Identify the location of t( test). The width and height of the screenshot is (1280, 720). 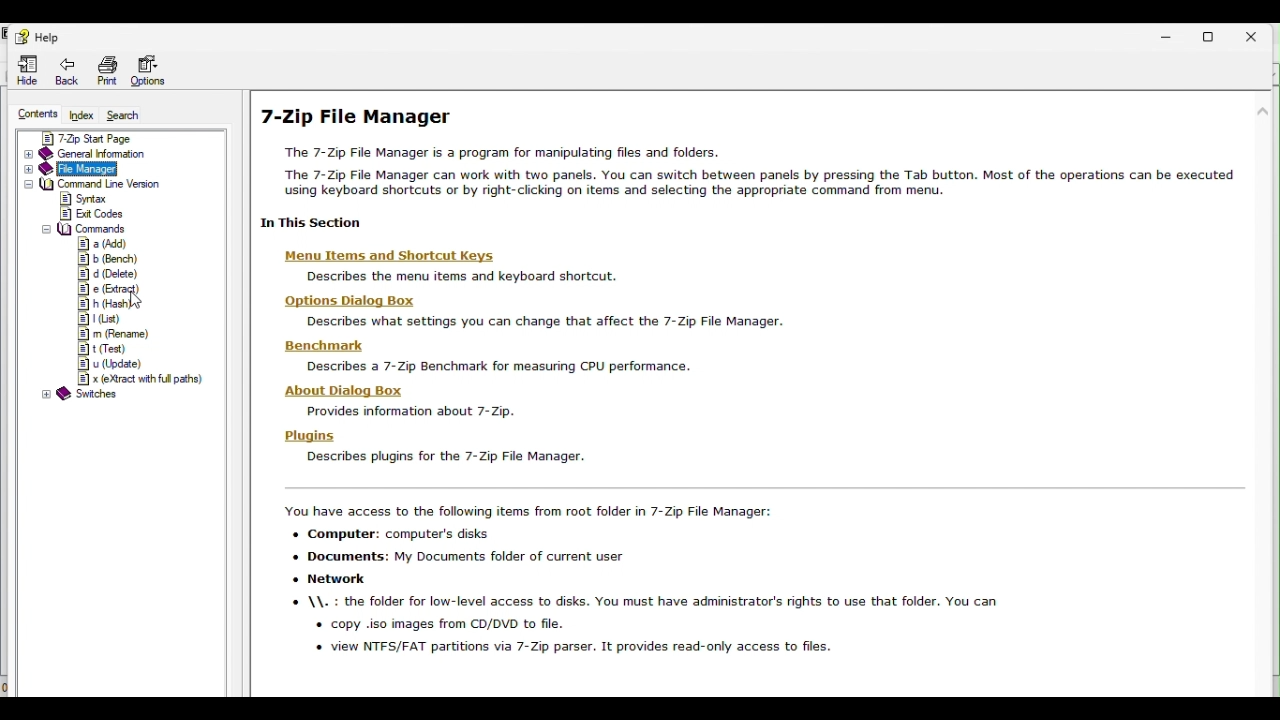
(103, 348).